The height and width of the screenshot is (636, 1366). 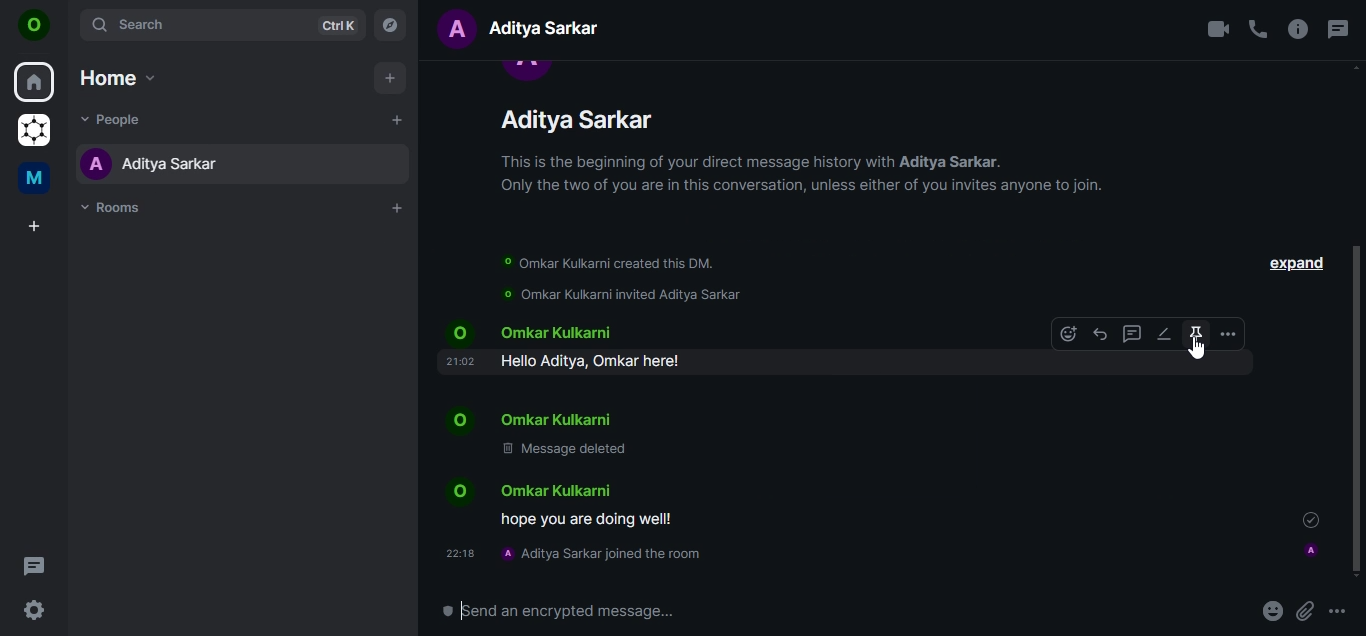 I want to click on create a  space, so click(x=32, y=227).